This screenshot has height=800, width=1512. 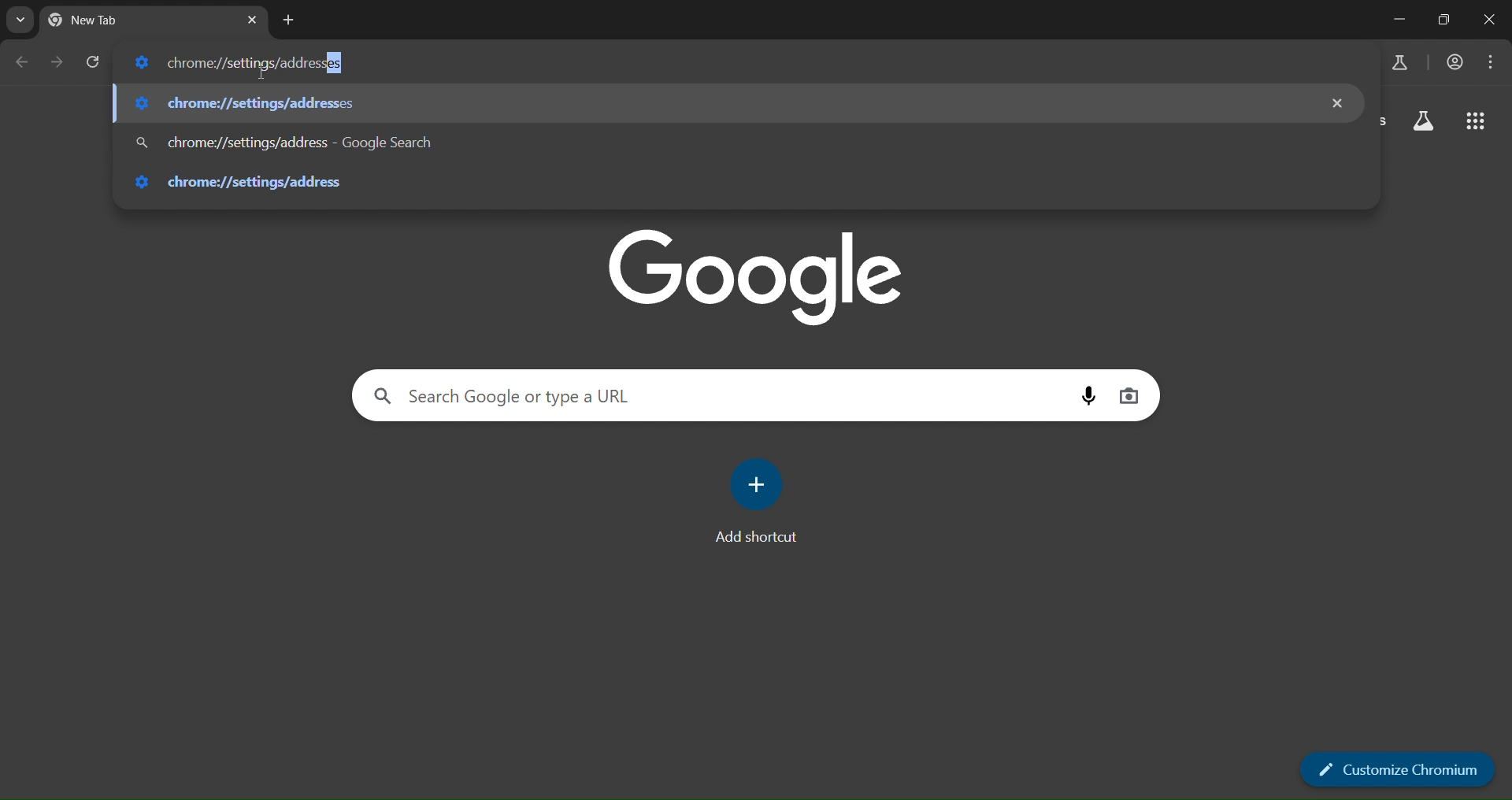 I want to click on cursor, so click(x=261, y=74).